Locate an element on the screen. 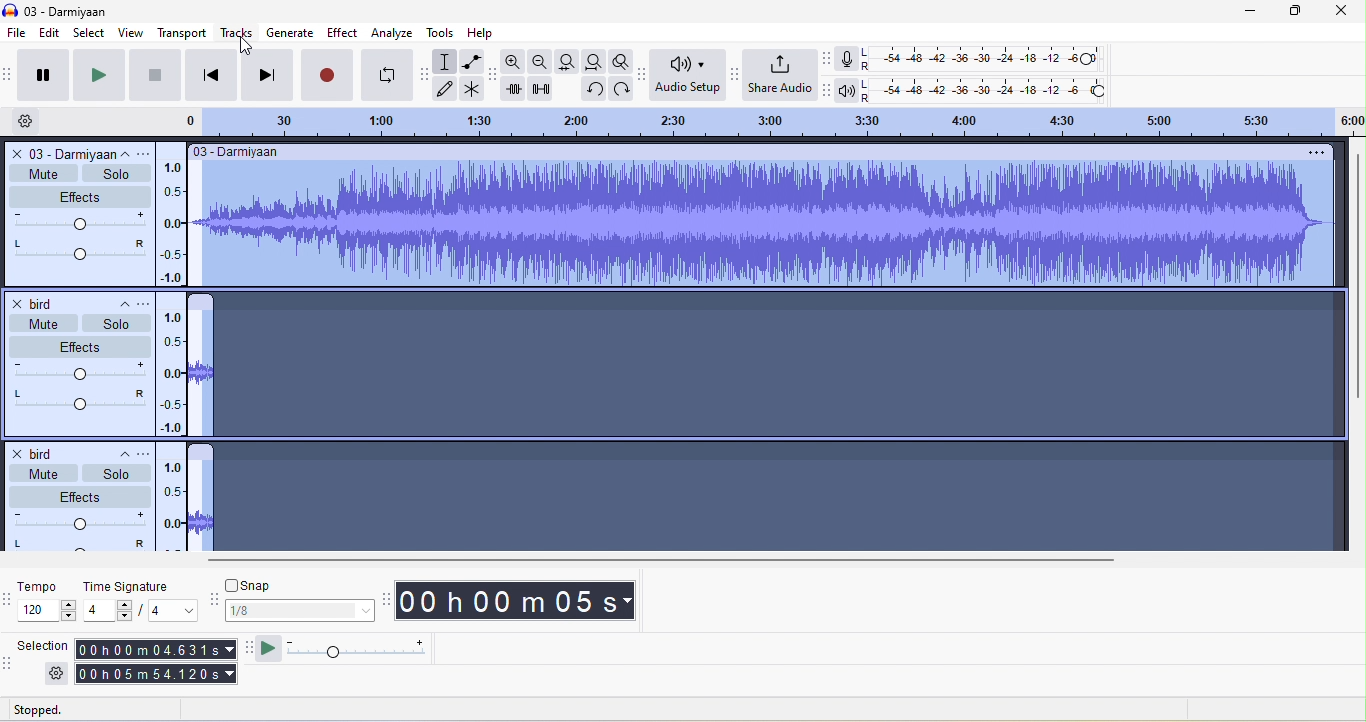 The image size is (1366, 722). playback meter is located at coordinates (847, 90).